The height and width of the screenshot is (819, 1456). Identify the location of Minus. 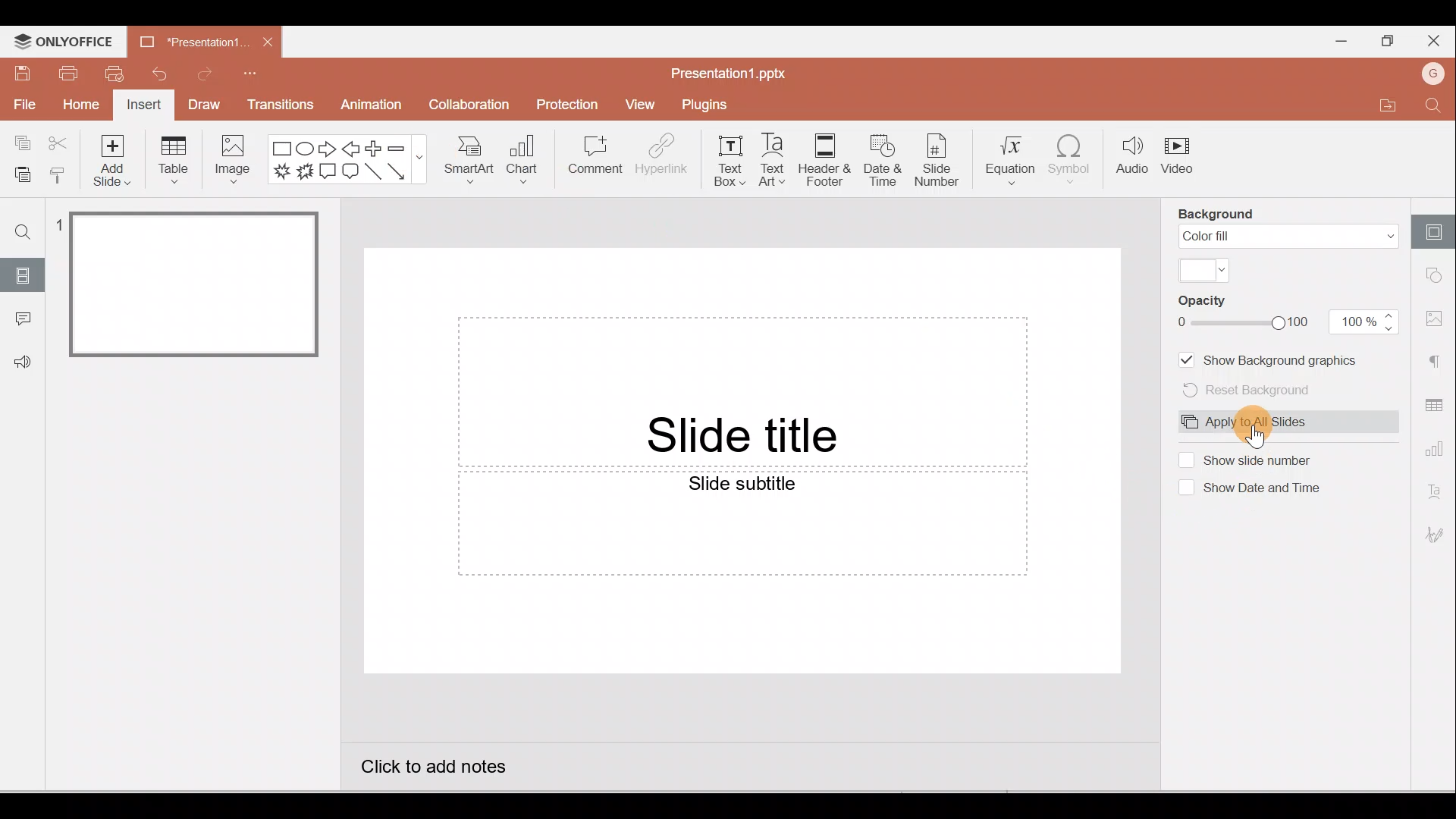
(396, 147).